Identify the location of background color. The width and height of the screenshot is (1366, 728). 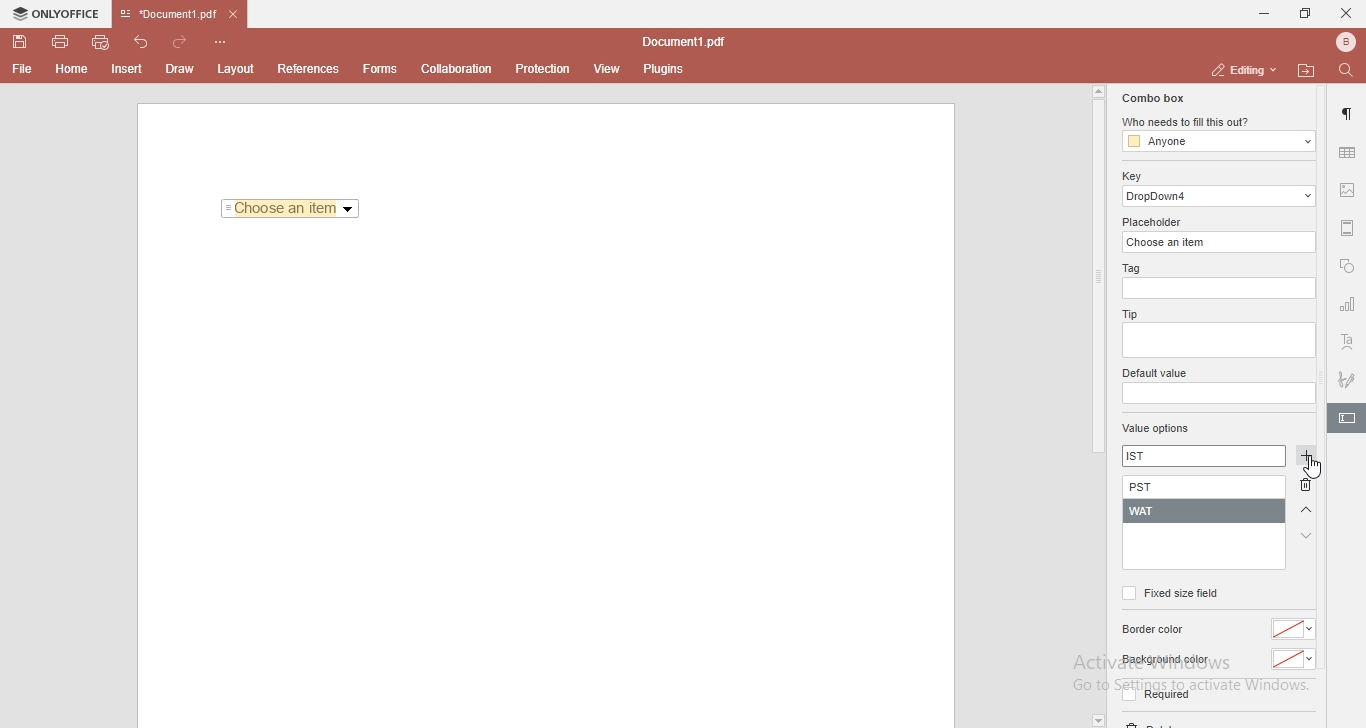
(1164, 660).